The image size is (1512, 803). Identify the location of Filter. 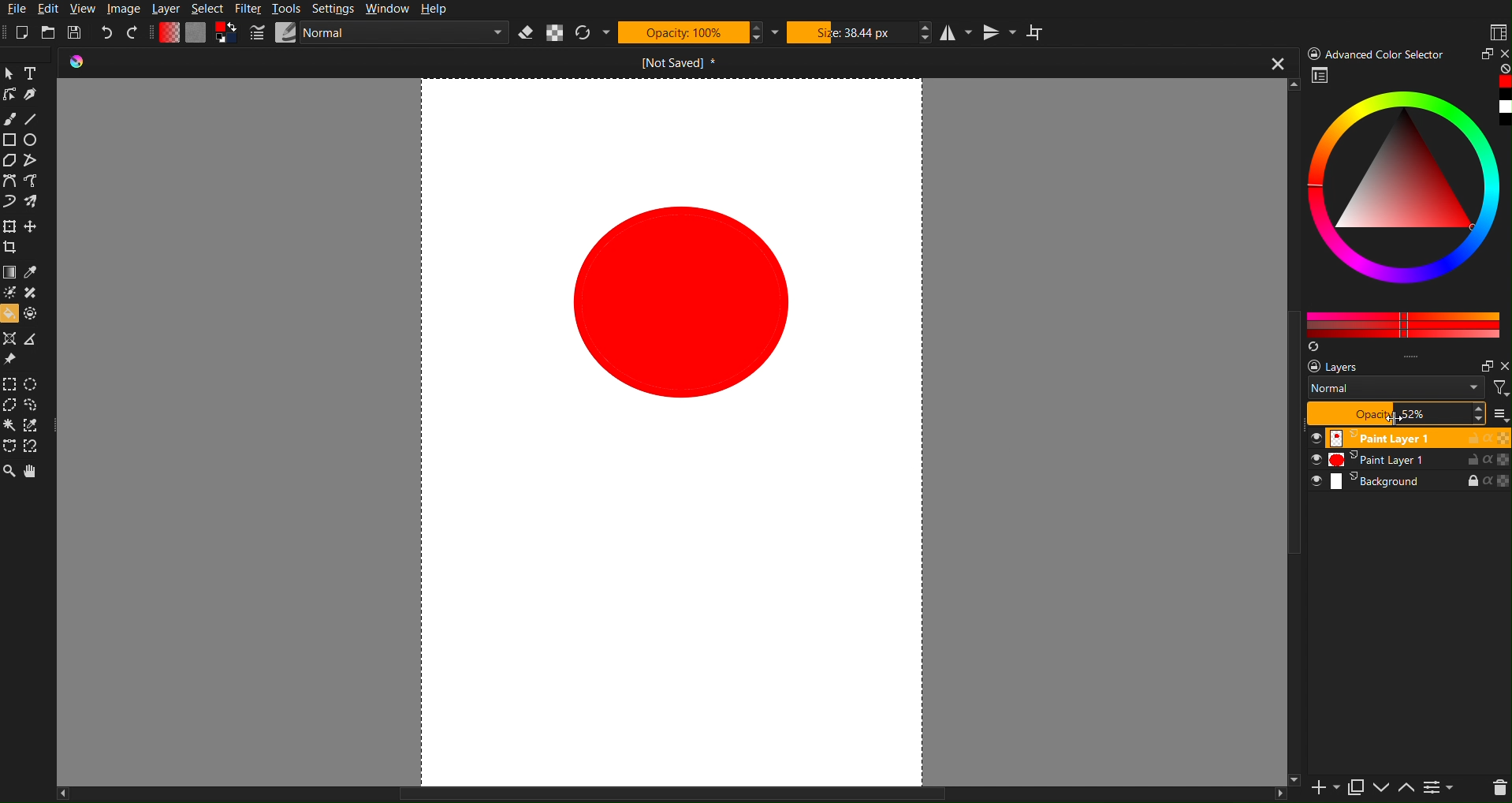
(1503, 390).